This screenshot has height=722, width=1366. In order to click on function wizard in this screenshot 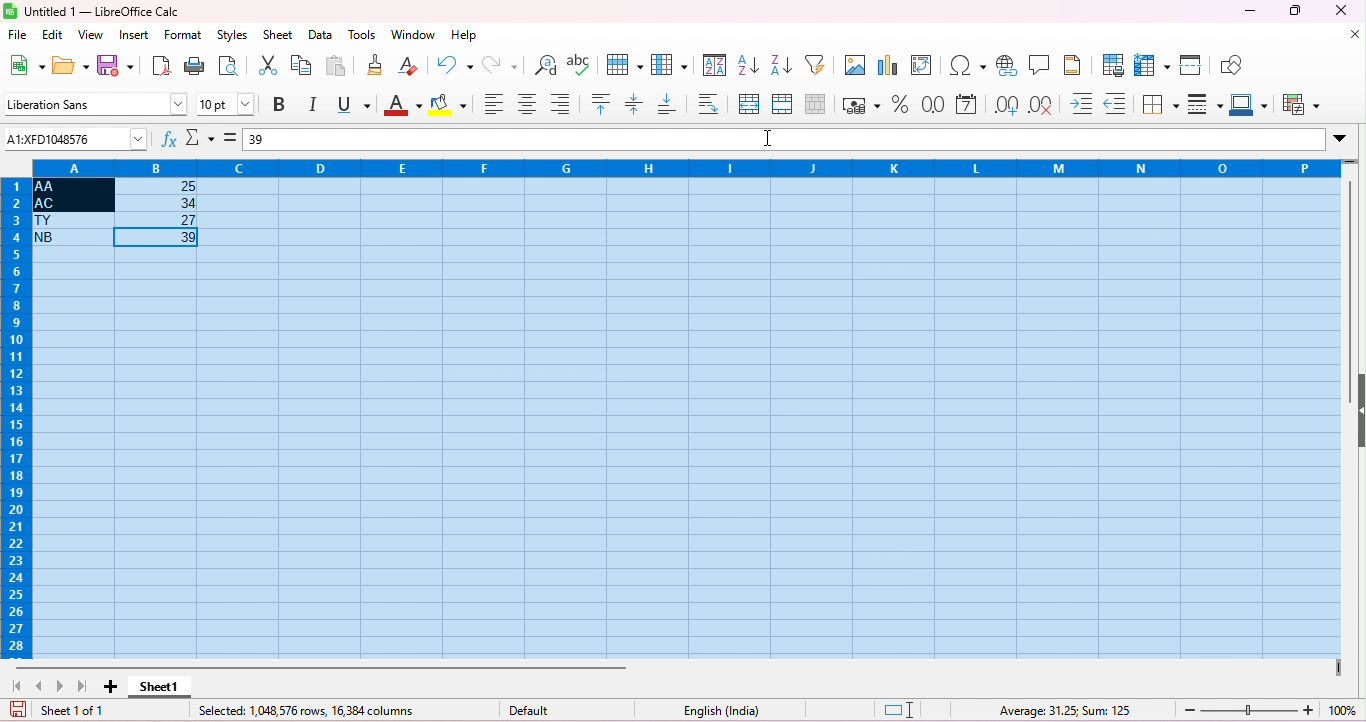, I will do `click(172, 140)`.